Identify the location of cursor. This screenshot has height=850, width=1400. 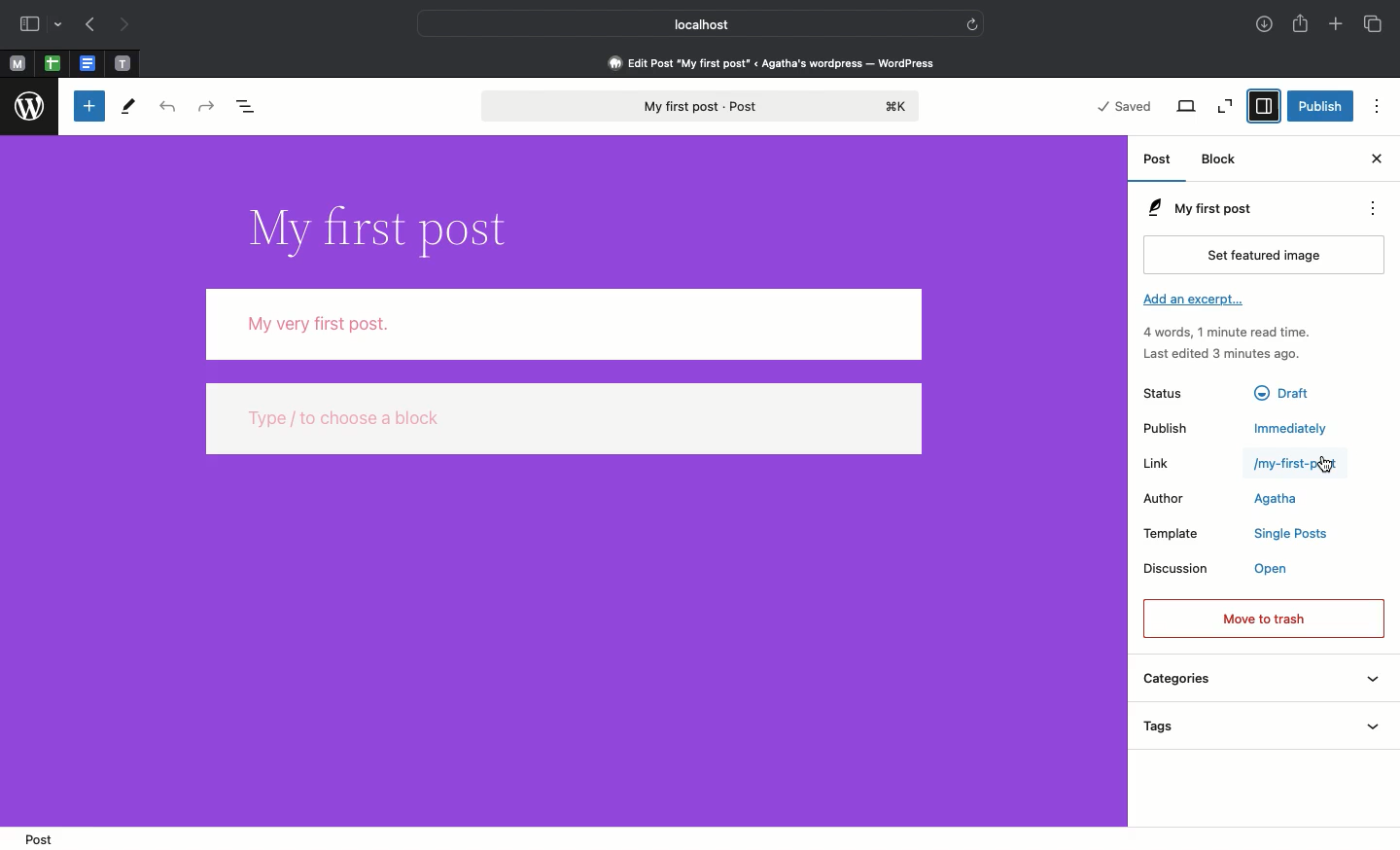
(1322, 465).